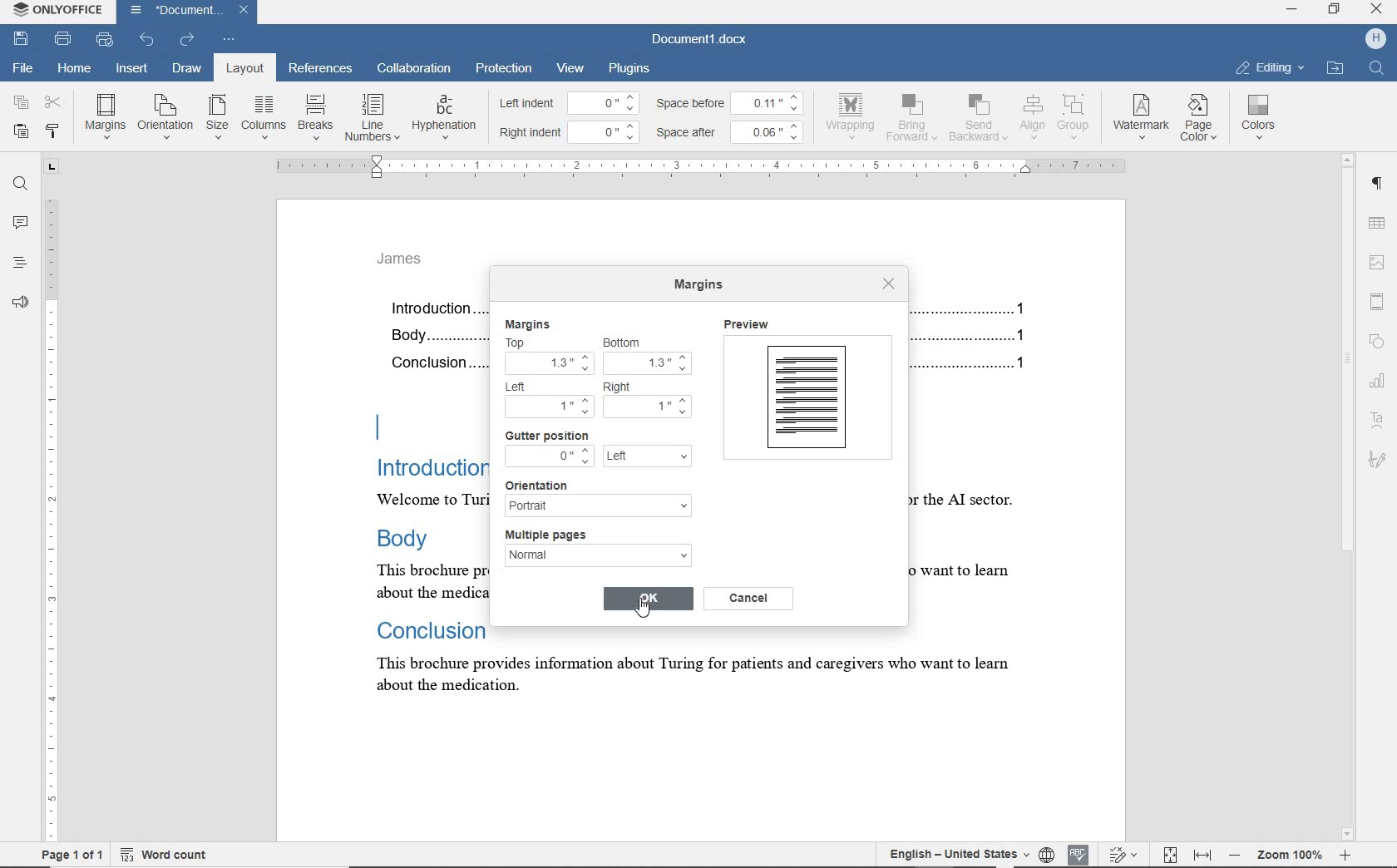  Describe the element at coordinates (21, 37) in the screenshot. I see `save` at that location.